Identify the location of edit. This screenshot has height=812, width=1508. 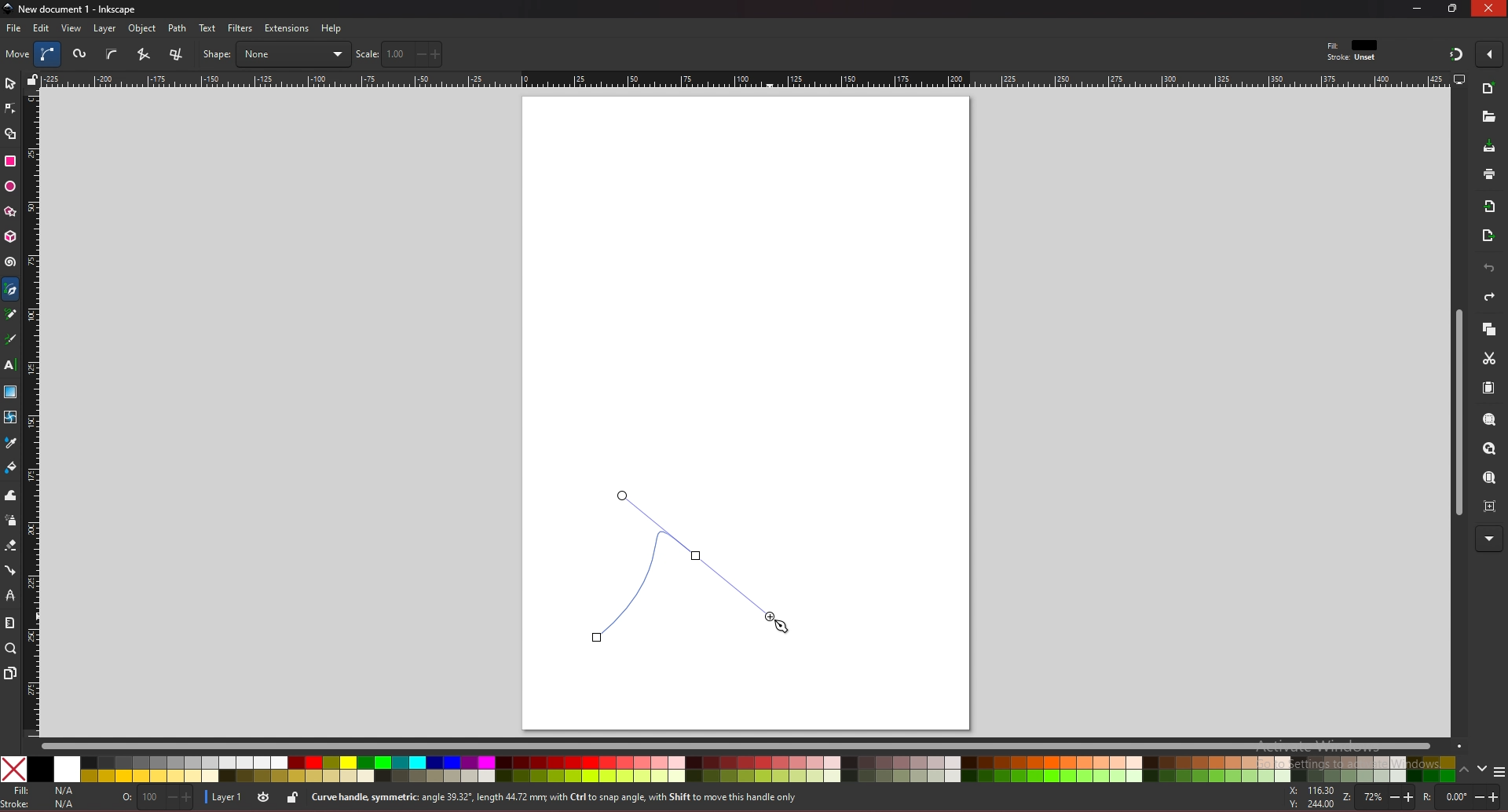
(42, 27).